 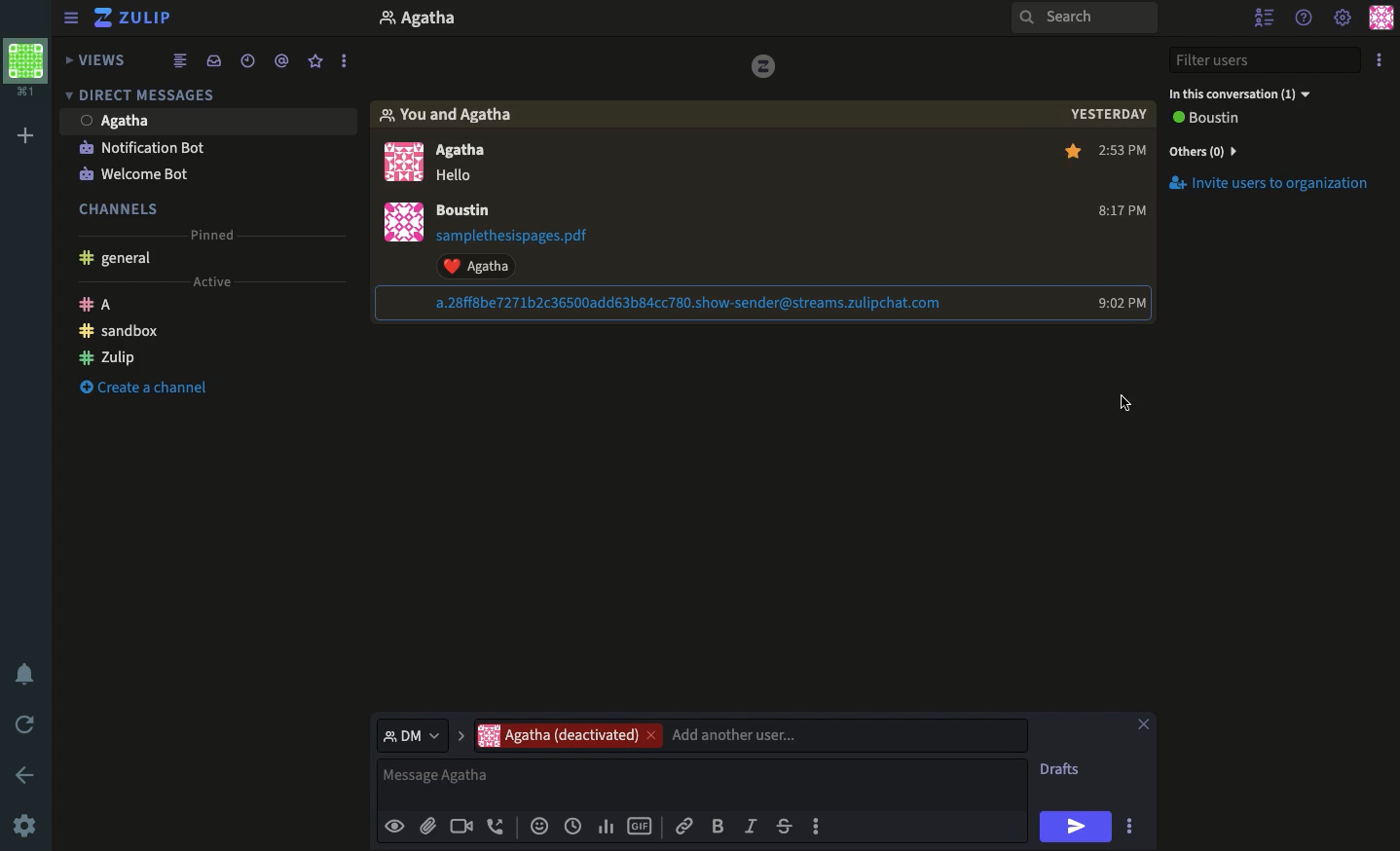 I want to click on Zulip, so click(x=107, y=357).